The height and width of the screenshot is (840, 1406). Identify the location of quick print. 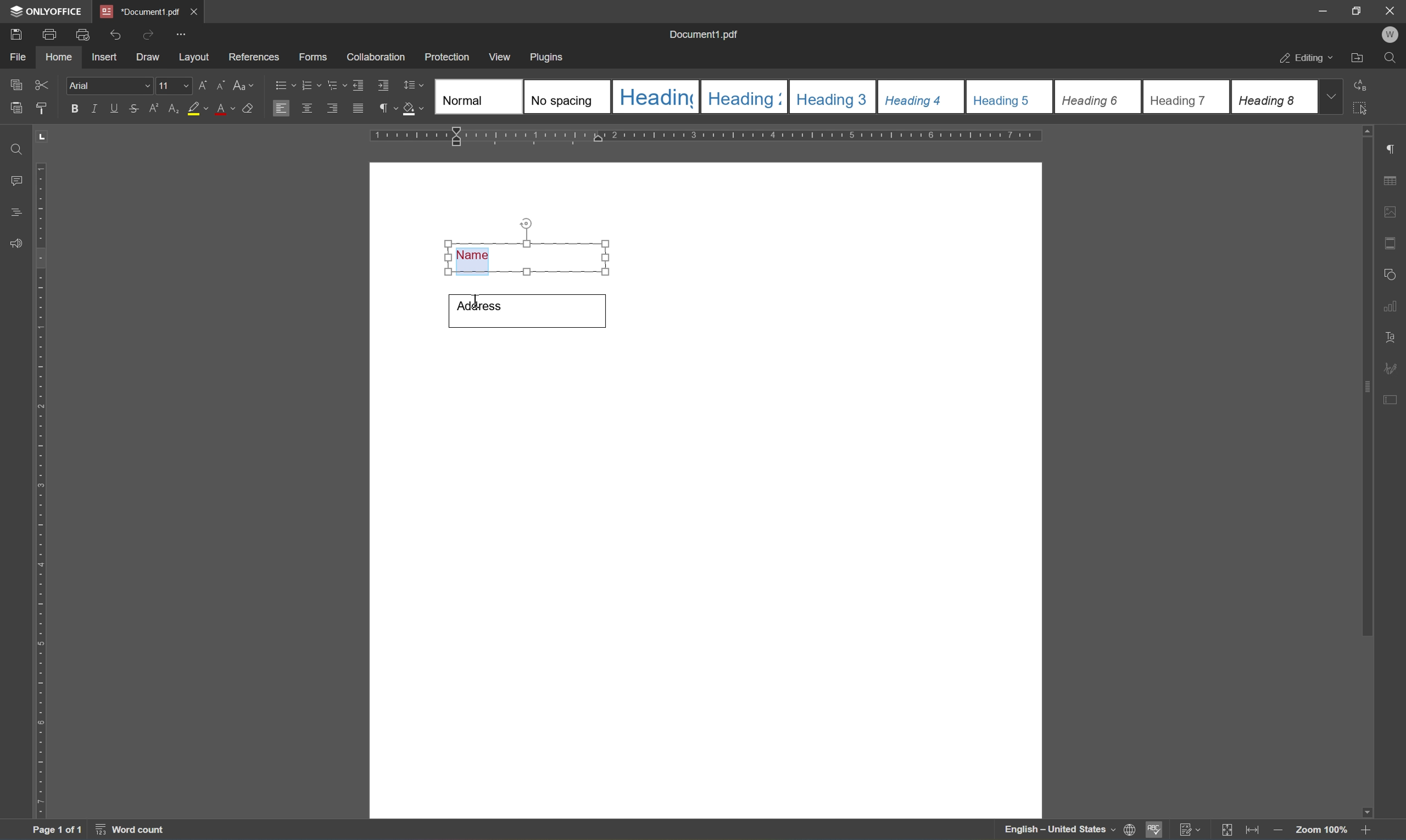
(80, 33).